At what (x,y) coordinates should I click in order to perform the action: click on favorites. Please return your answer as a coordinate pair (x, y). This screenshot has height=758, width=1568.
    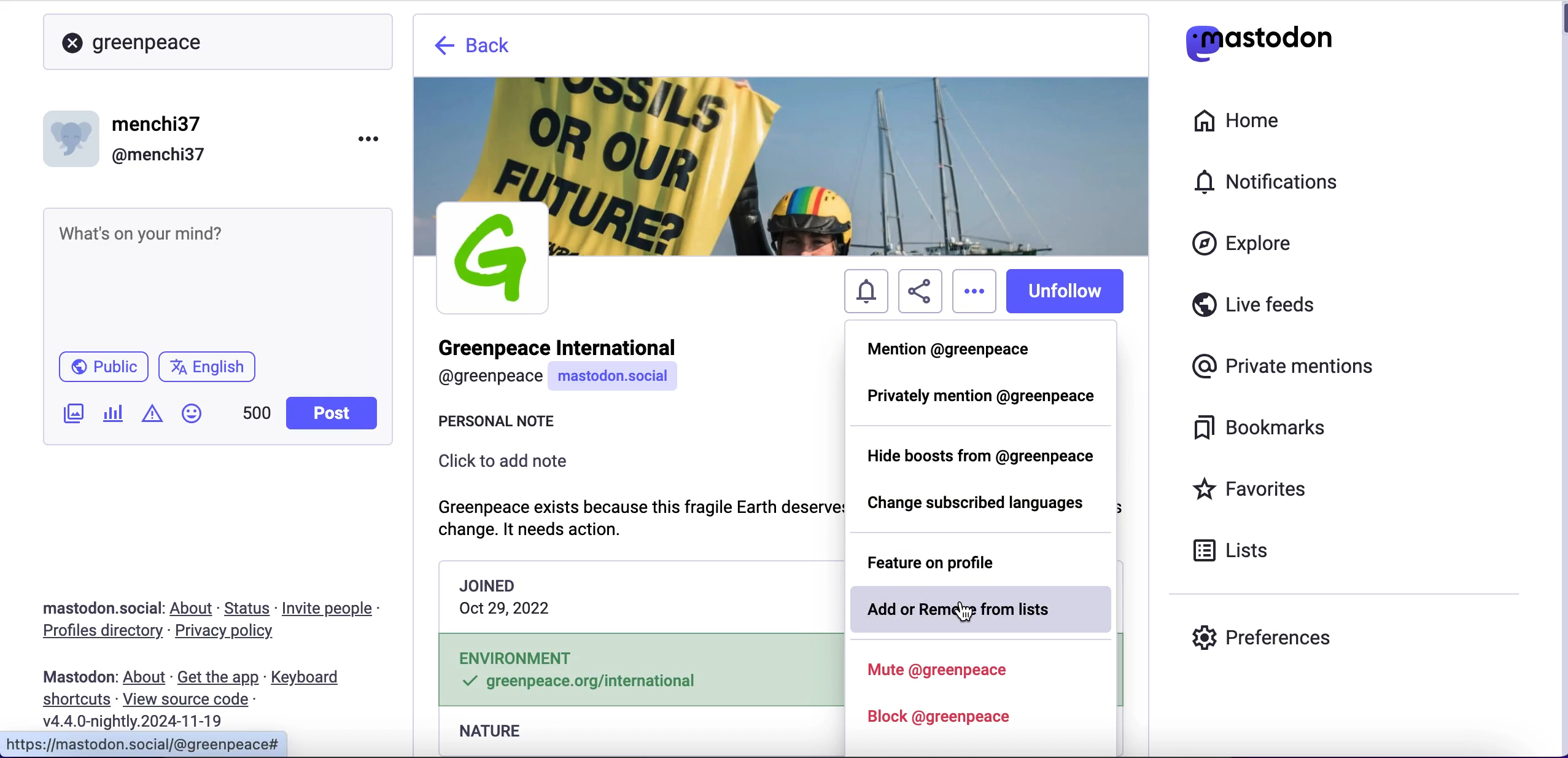
    Looking at the image, I should click on (1254, 491).